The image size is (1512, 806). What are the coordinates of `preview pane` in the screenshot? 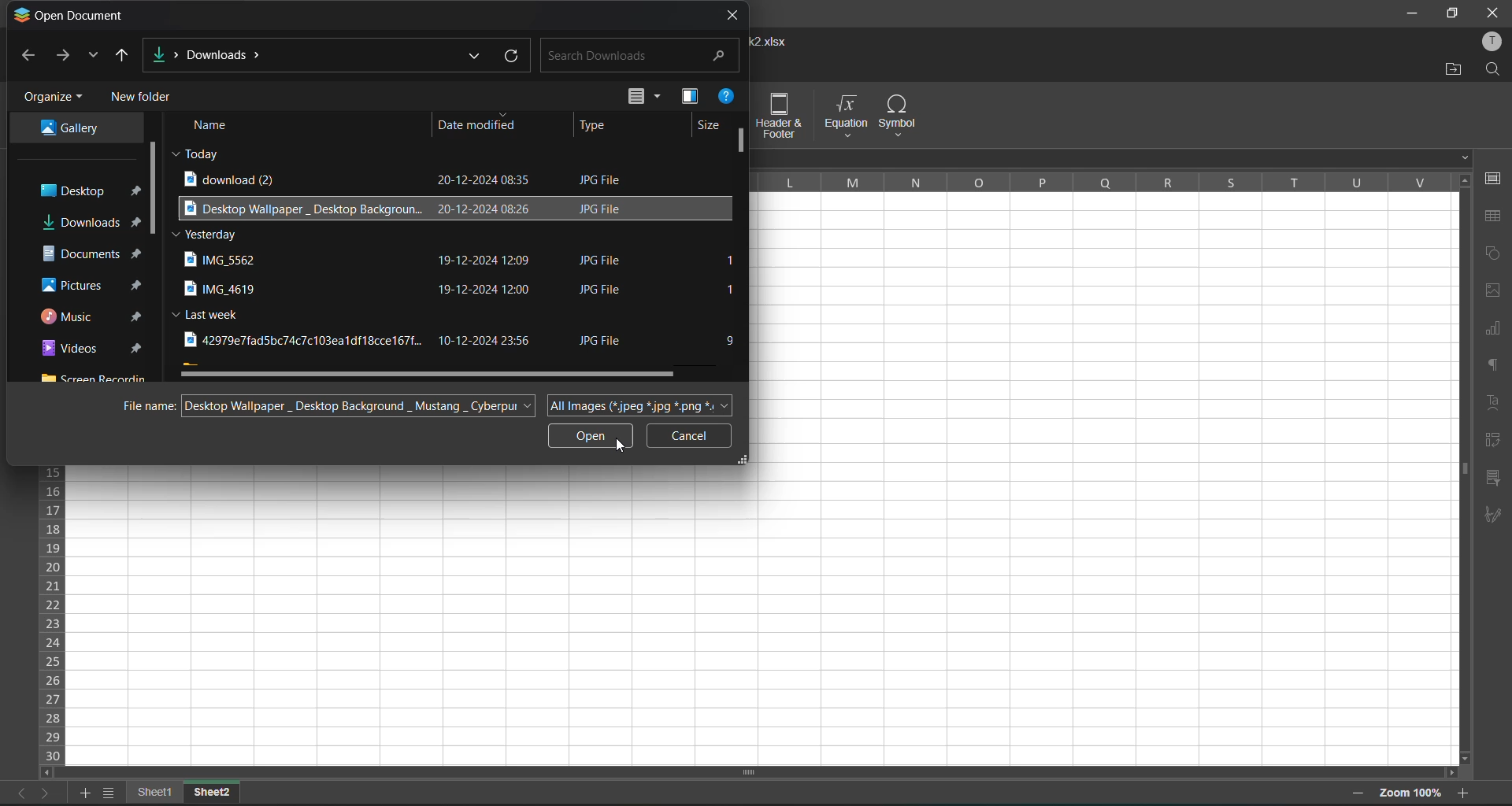 It's located at (689, 96).